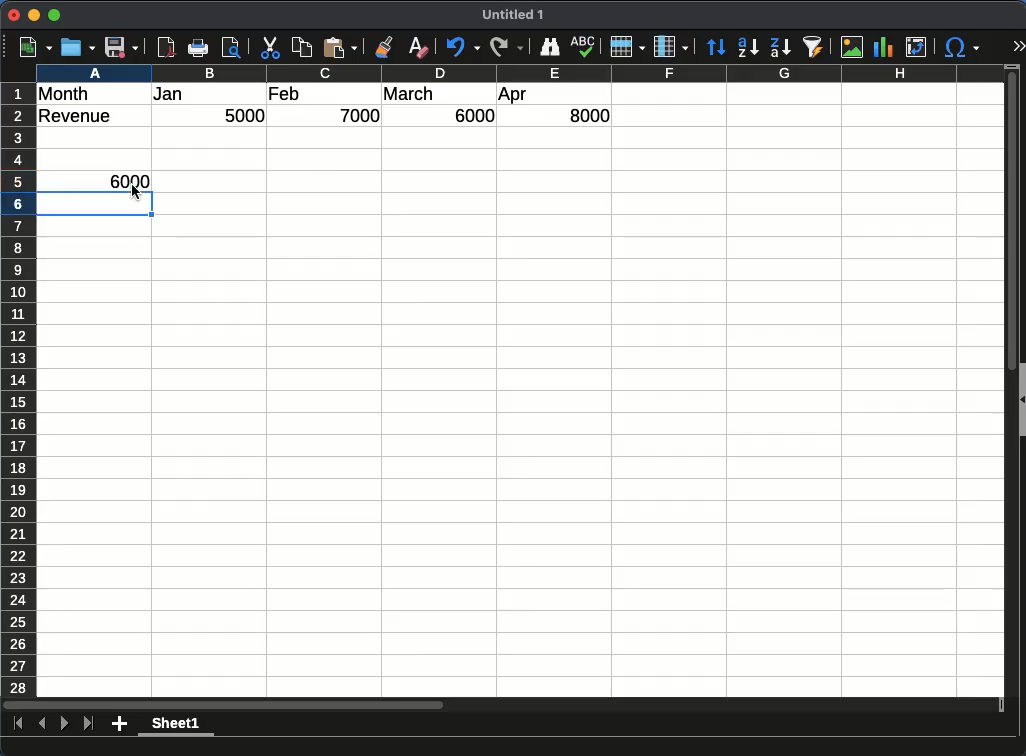 The width and height of the screenshot is (1026, 756). Describe the element at coordinates (76, 116) in the screenshot. I see `revenue ` at that location.